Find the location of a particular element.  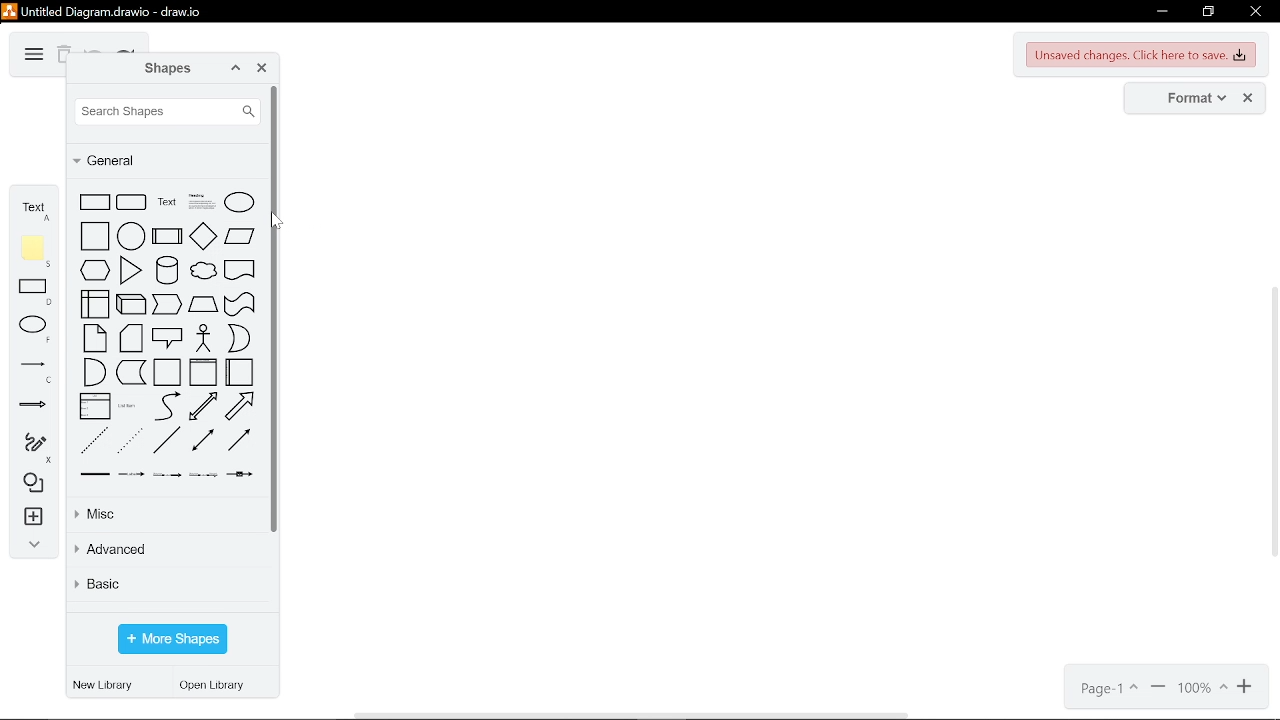

rectangle is located at coordinates (95, 202).